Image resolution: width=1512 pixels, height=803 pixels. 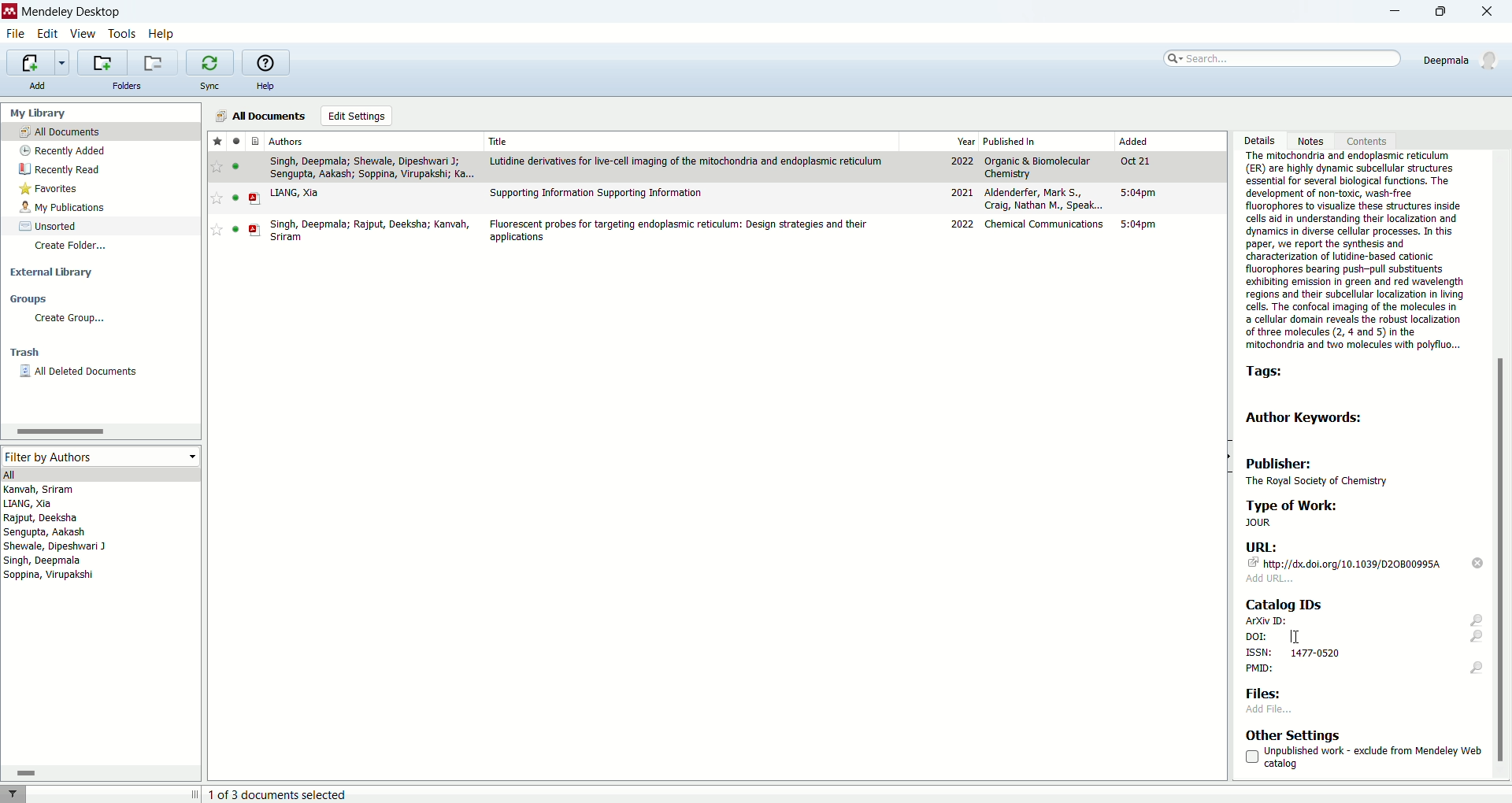 What do you see at coordinates (235, 166) in the screenshot?
I see `unread` at bounding box center [235, 166].